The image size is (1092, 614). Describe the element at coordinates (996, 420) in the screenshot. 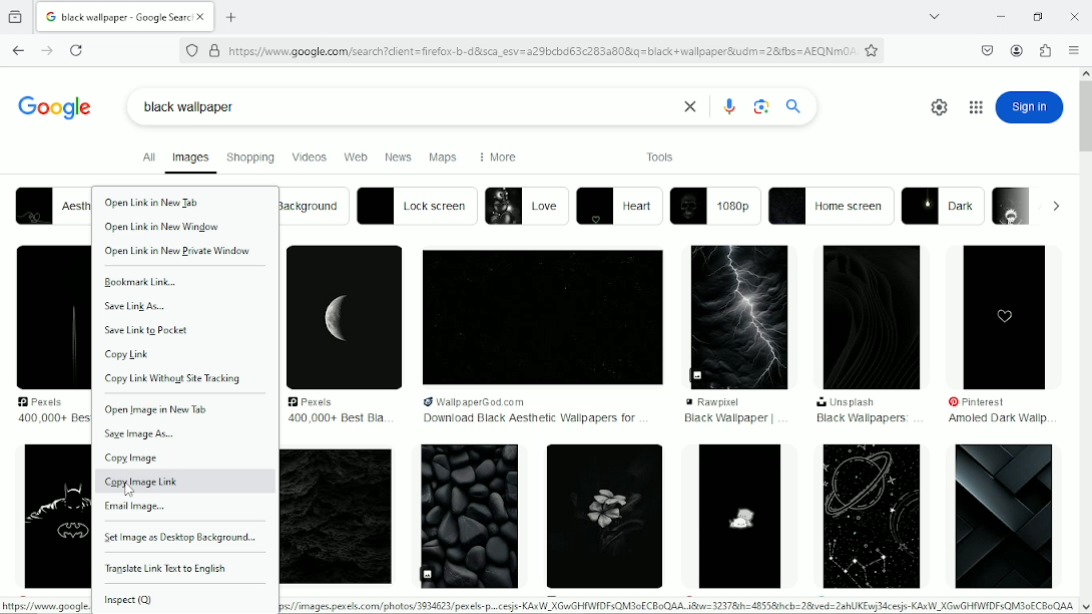

I see `amoled dark wallpaper` at that location.